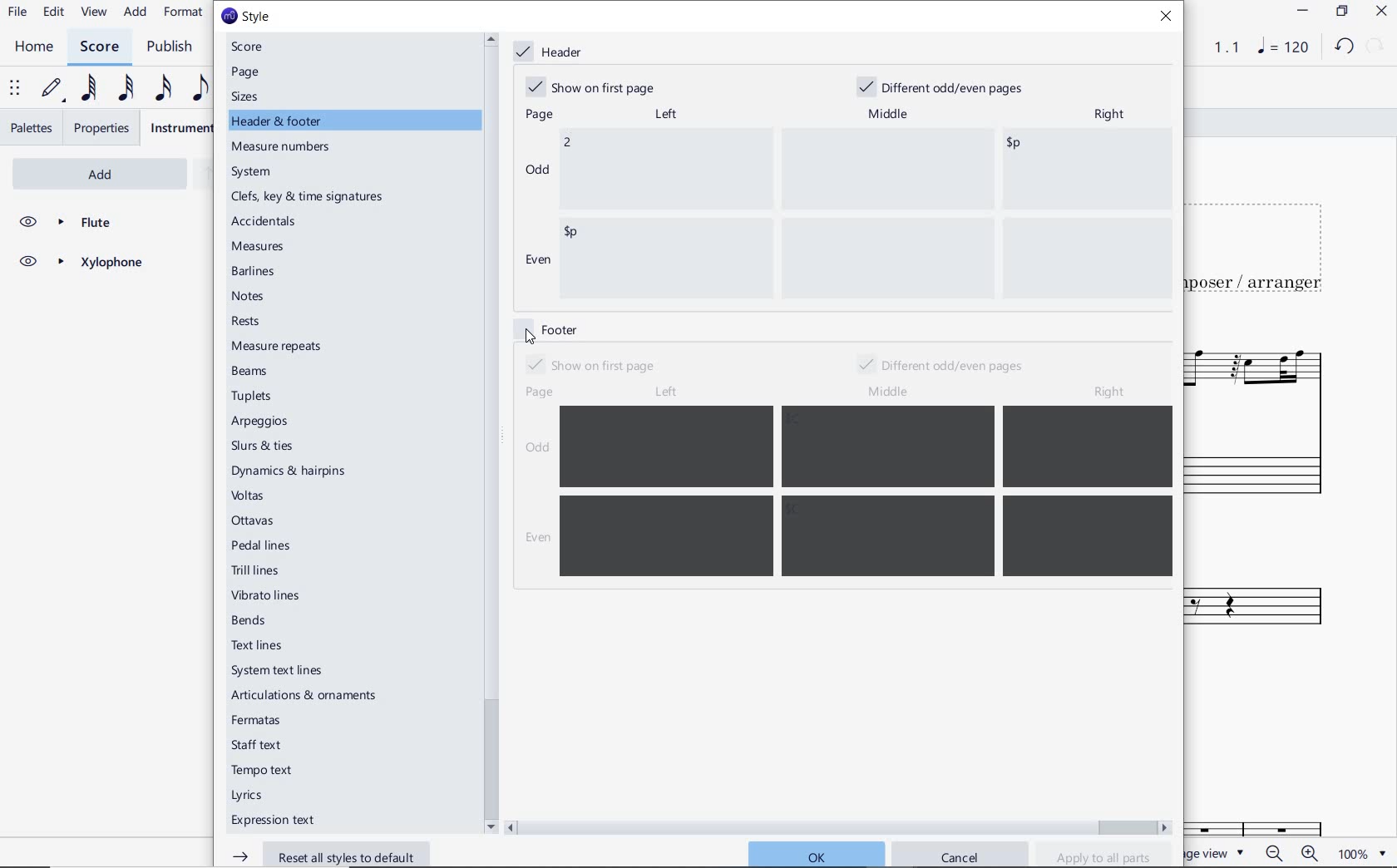 This screenshot has width=1397, height=868. Describe the element at coordinates (1360, 853) in the screenshot. I see `zoom factor` at that location.